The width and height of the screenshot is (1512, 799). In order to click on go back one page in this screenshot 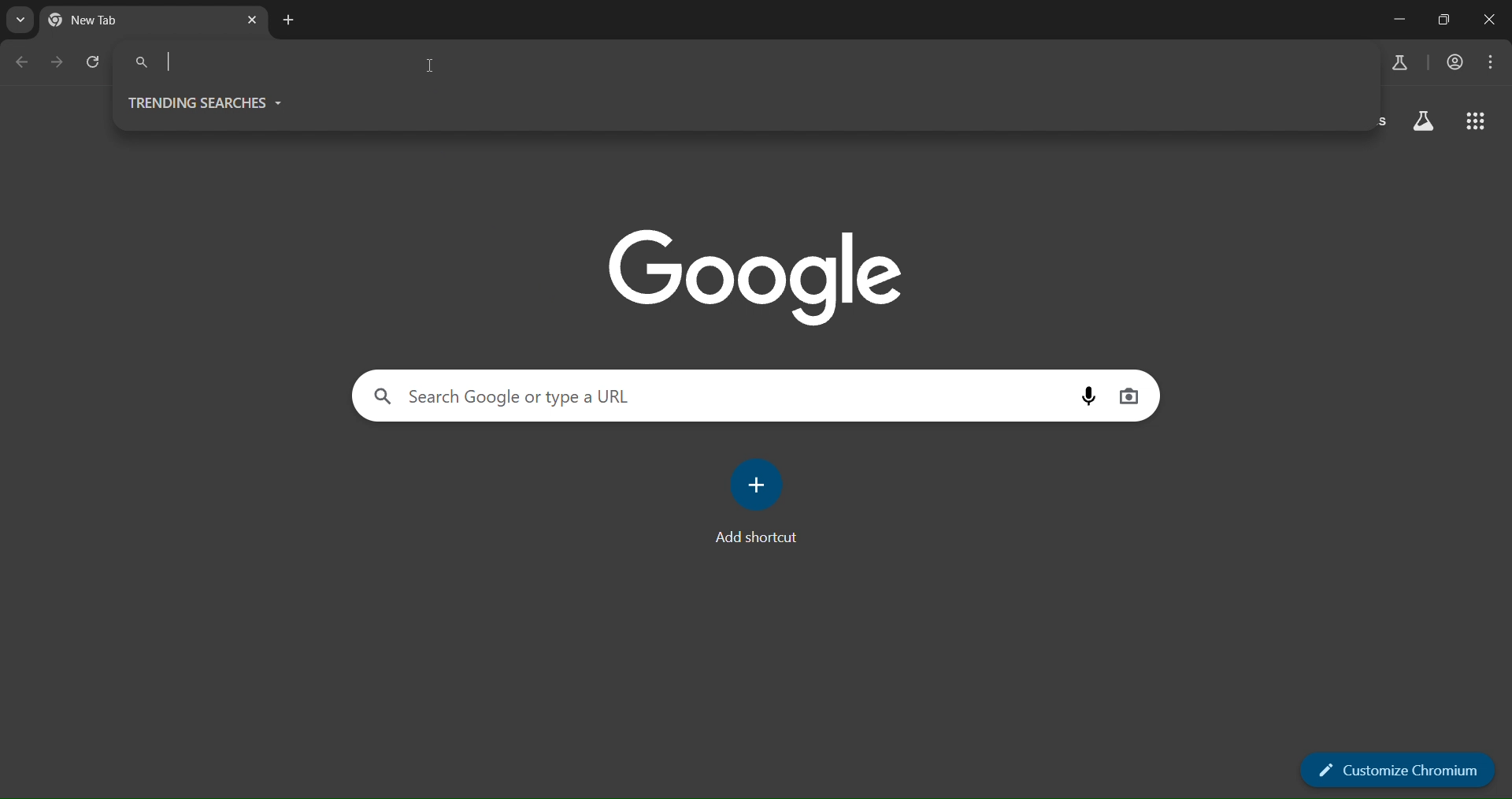, I will do `click(25, 62)`.